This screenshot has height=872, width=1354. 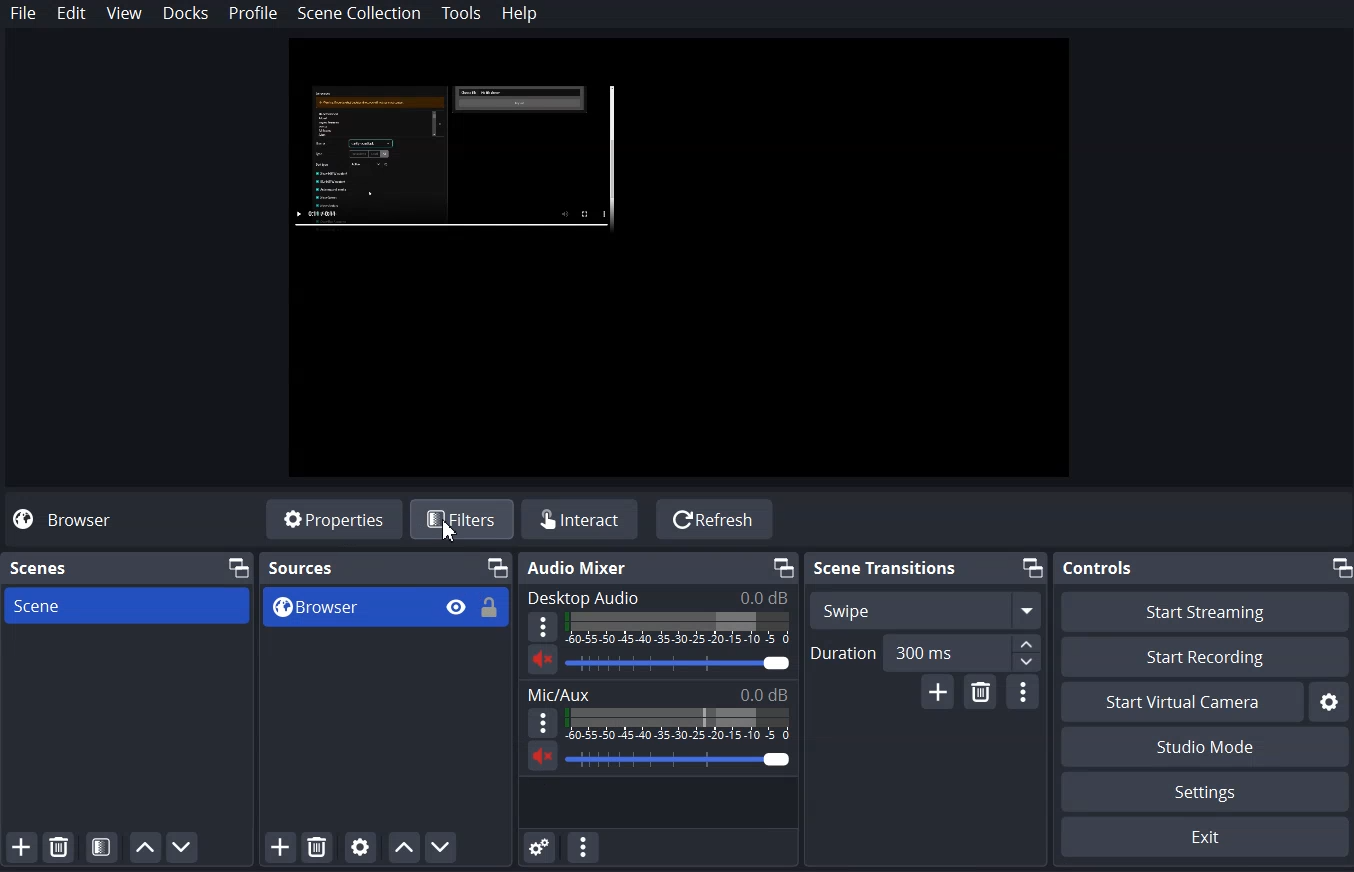 What do you see at coordinates (520, 14) in the screenshot?
I see `Help` at bounding box center [520, 14].